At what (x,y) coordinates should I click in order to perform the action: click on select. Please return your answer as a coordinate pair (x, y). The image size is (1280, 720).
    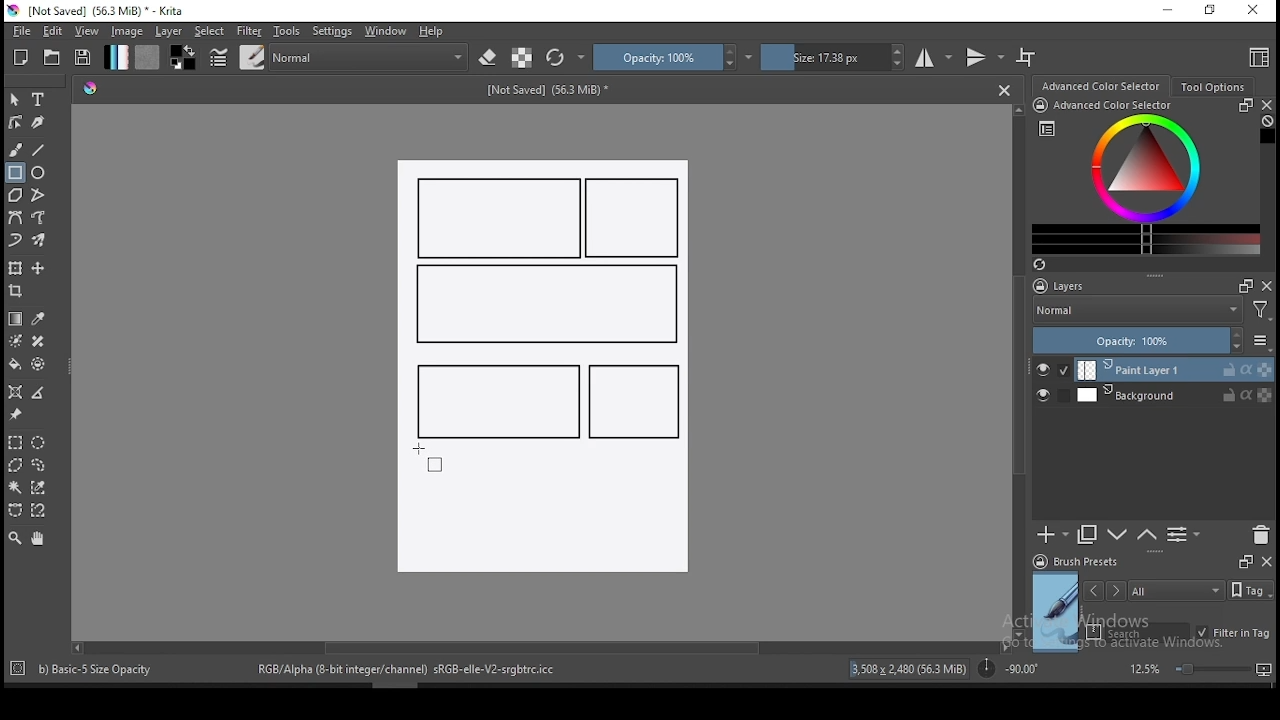
    Looking at the image, I should click on (210, 31).